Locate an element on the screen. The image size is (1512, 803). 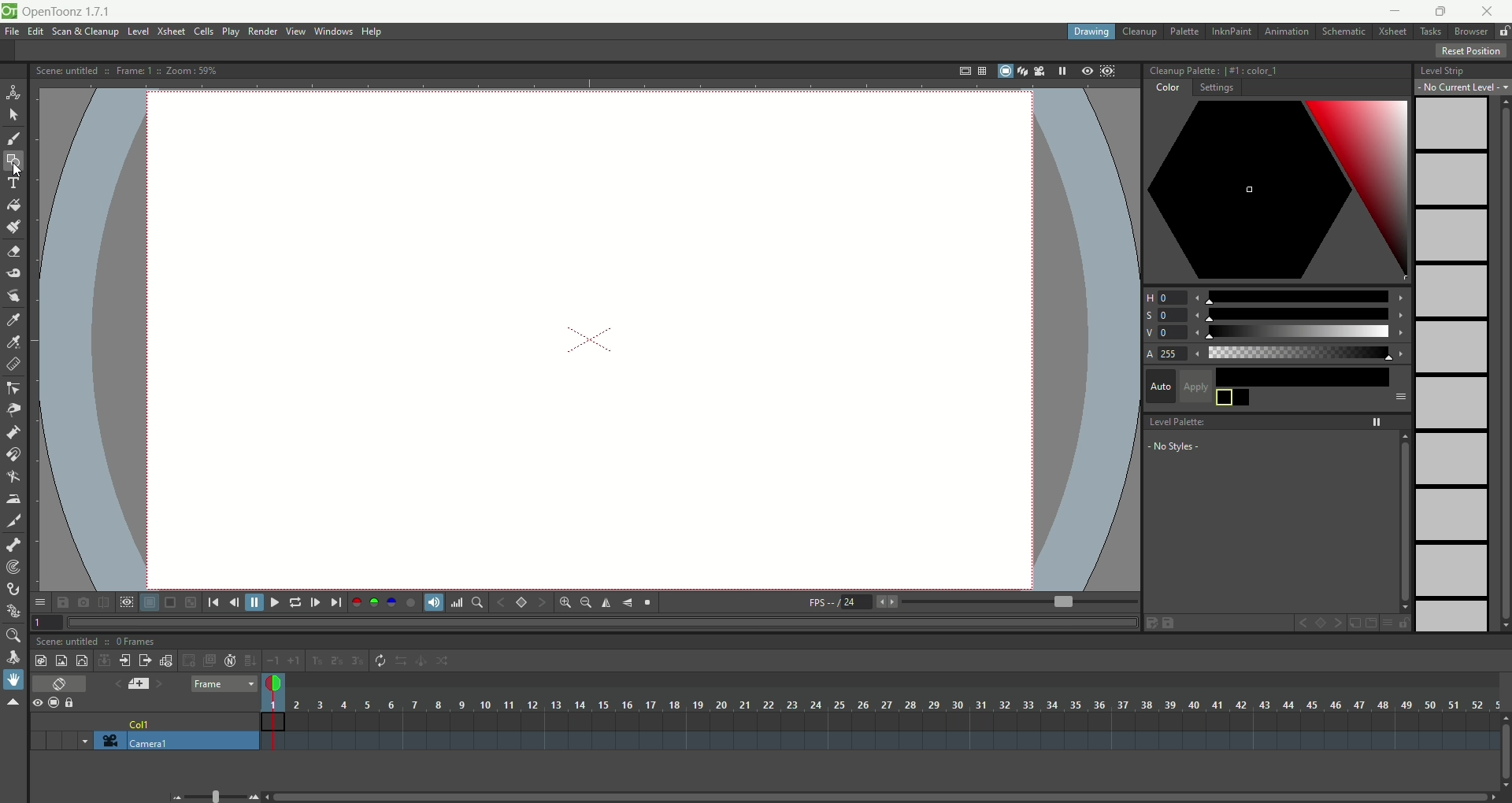
type tool is located at coordinates (15, 183).